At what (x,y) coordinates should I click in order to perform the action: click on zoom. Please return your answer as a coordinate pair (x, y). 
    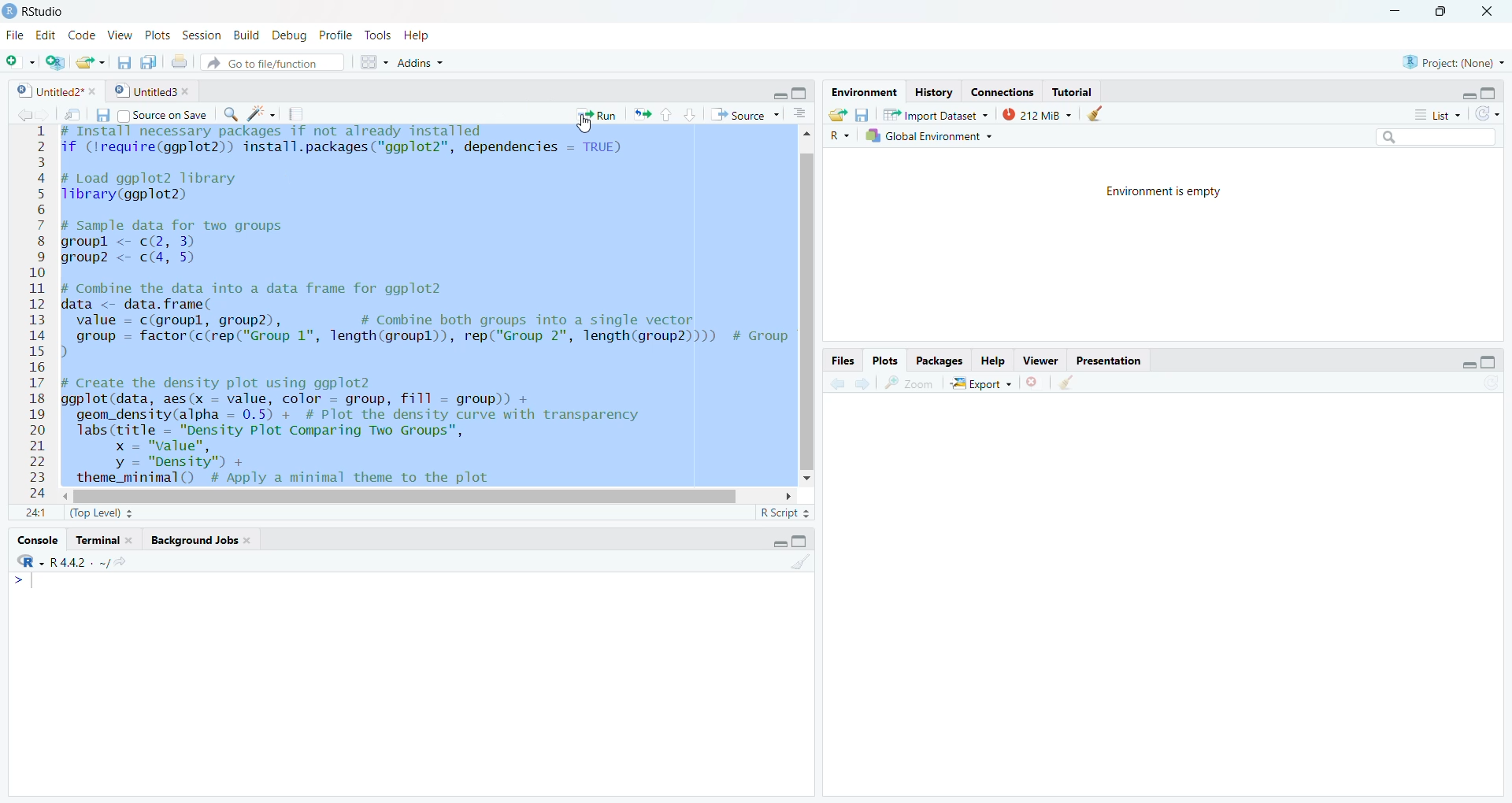
    Looking at the image, I should click on (910, 382).